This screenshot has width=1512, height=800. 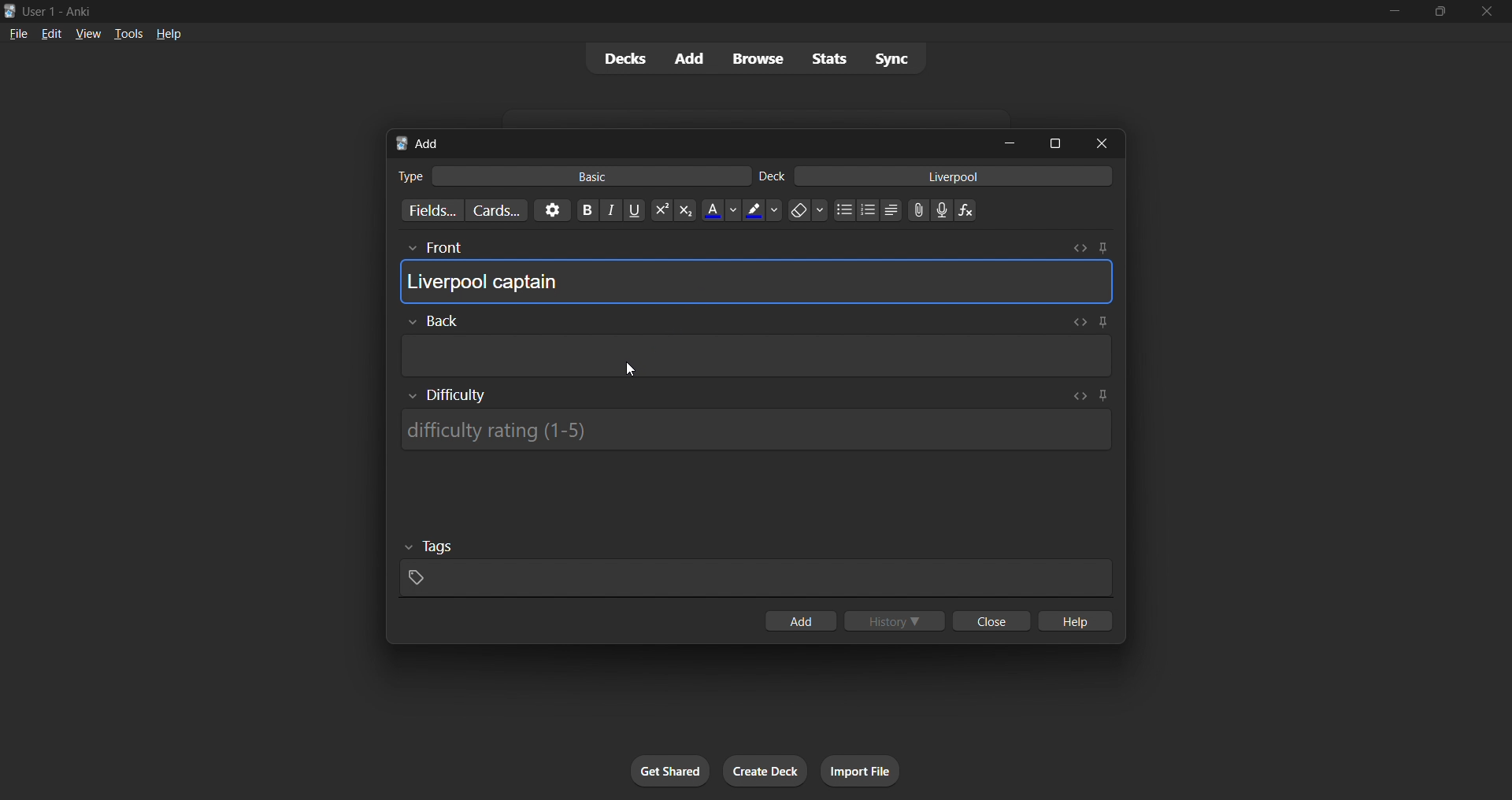 What do you see at coordinates (762, 210) in the screenshot?
I see `Text highlighting color` at bounding box center [762, 210].